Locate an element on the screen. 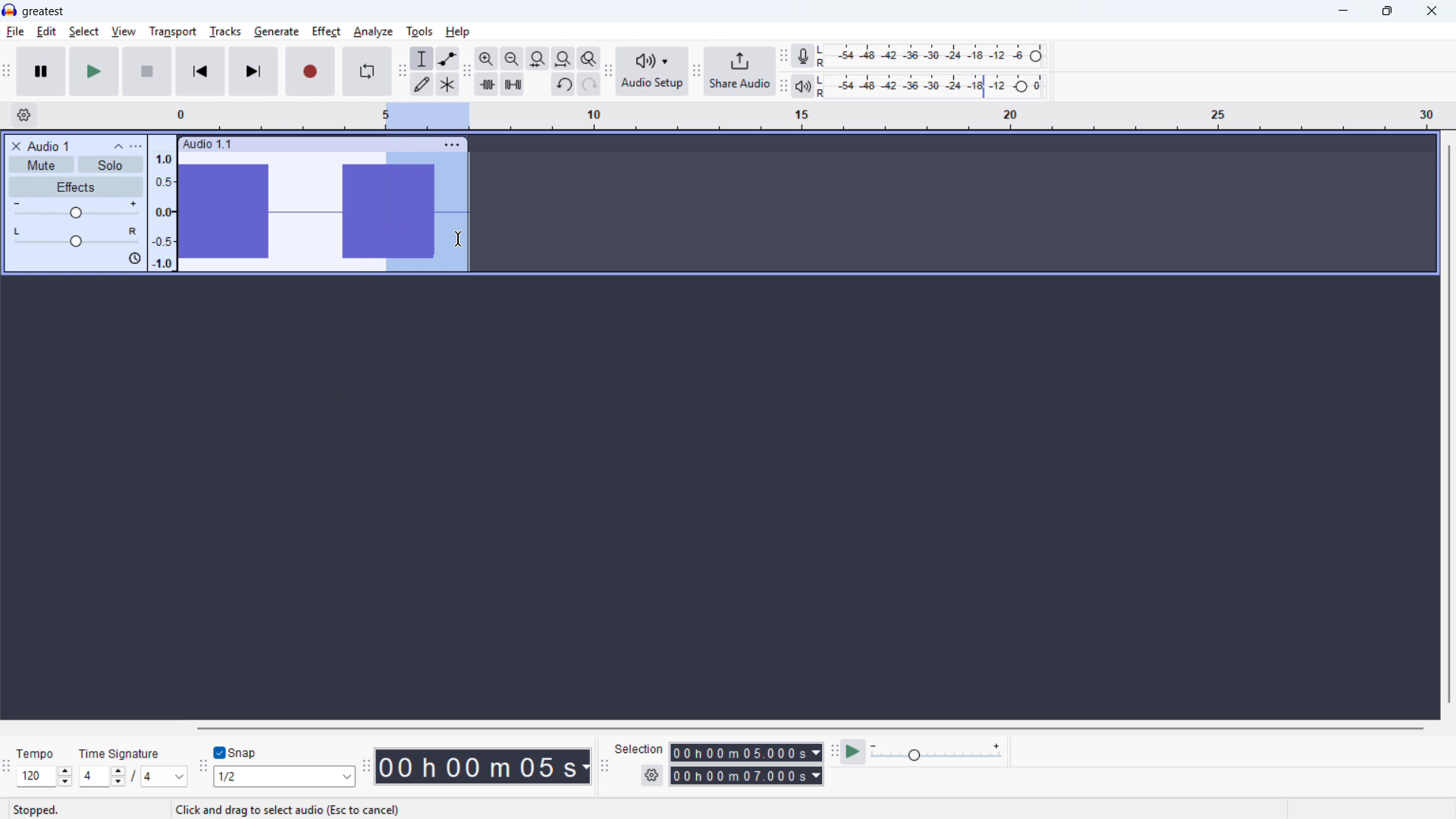 The height and width of the screenshot is (819, 1456). Pan: Centre  is located at coordinates (76, 238).